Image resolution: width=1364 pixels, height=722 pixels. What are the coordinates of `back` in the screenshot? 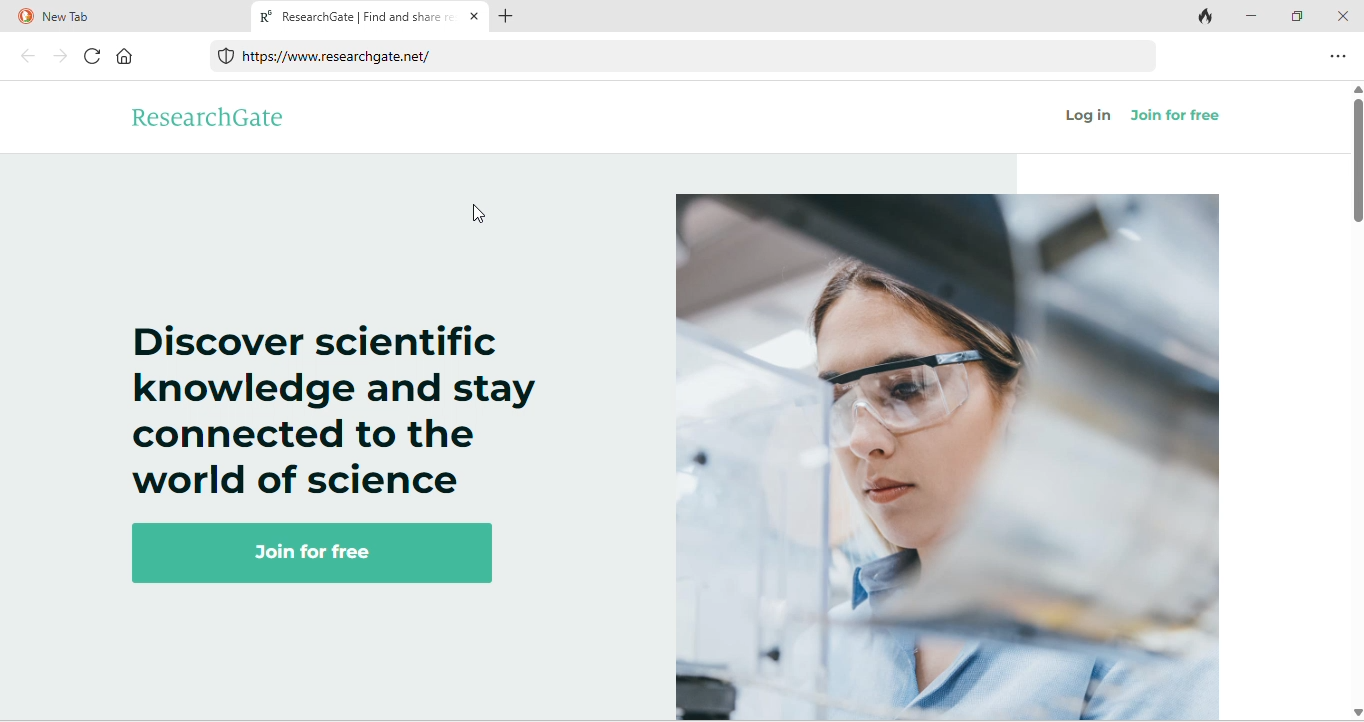 It's located at (25, 56).